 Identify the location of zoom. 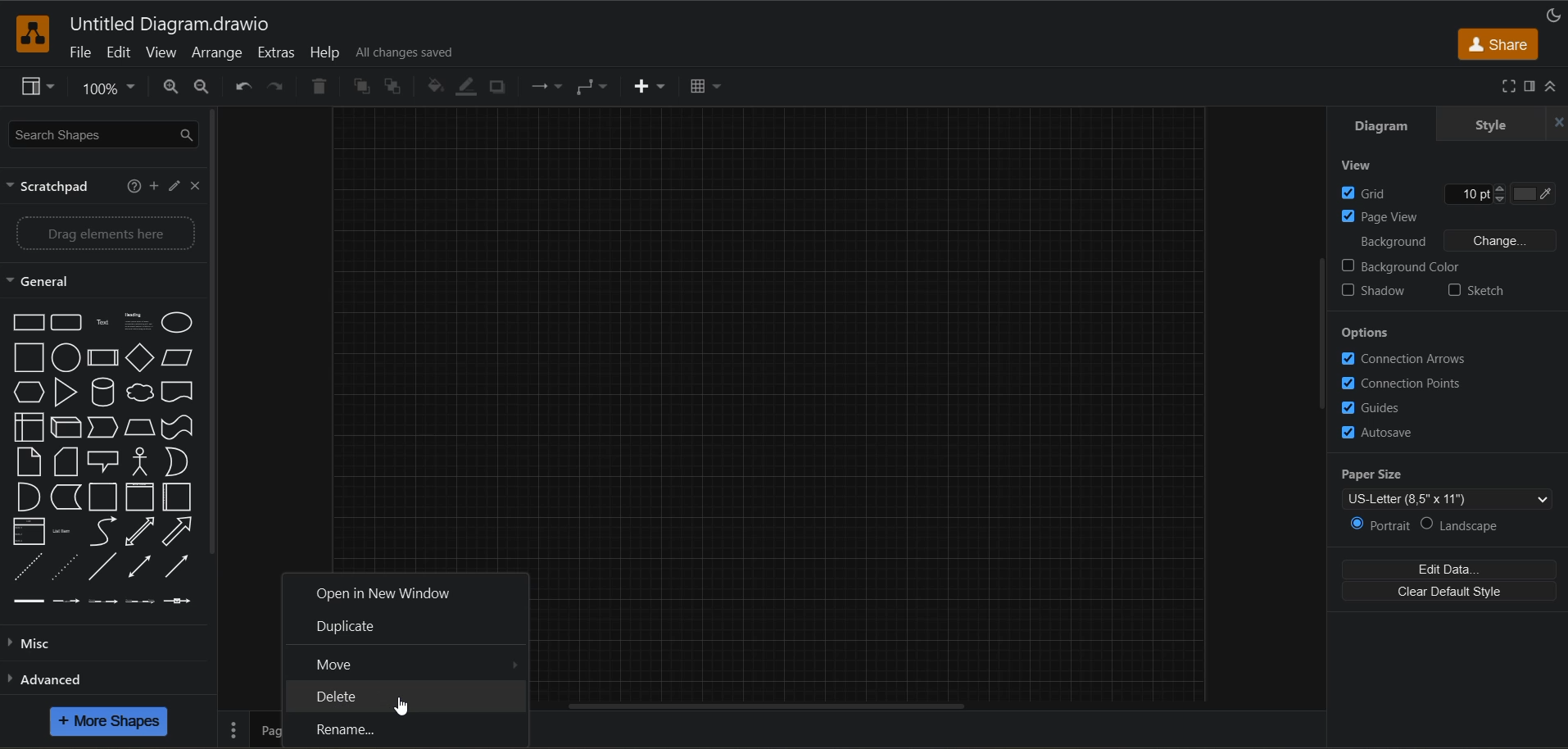
(107, 86).